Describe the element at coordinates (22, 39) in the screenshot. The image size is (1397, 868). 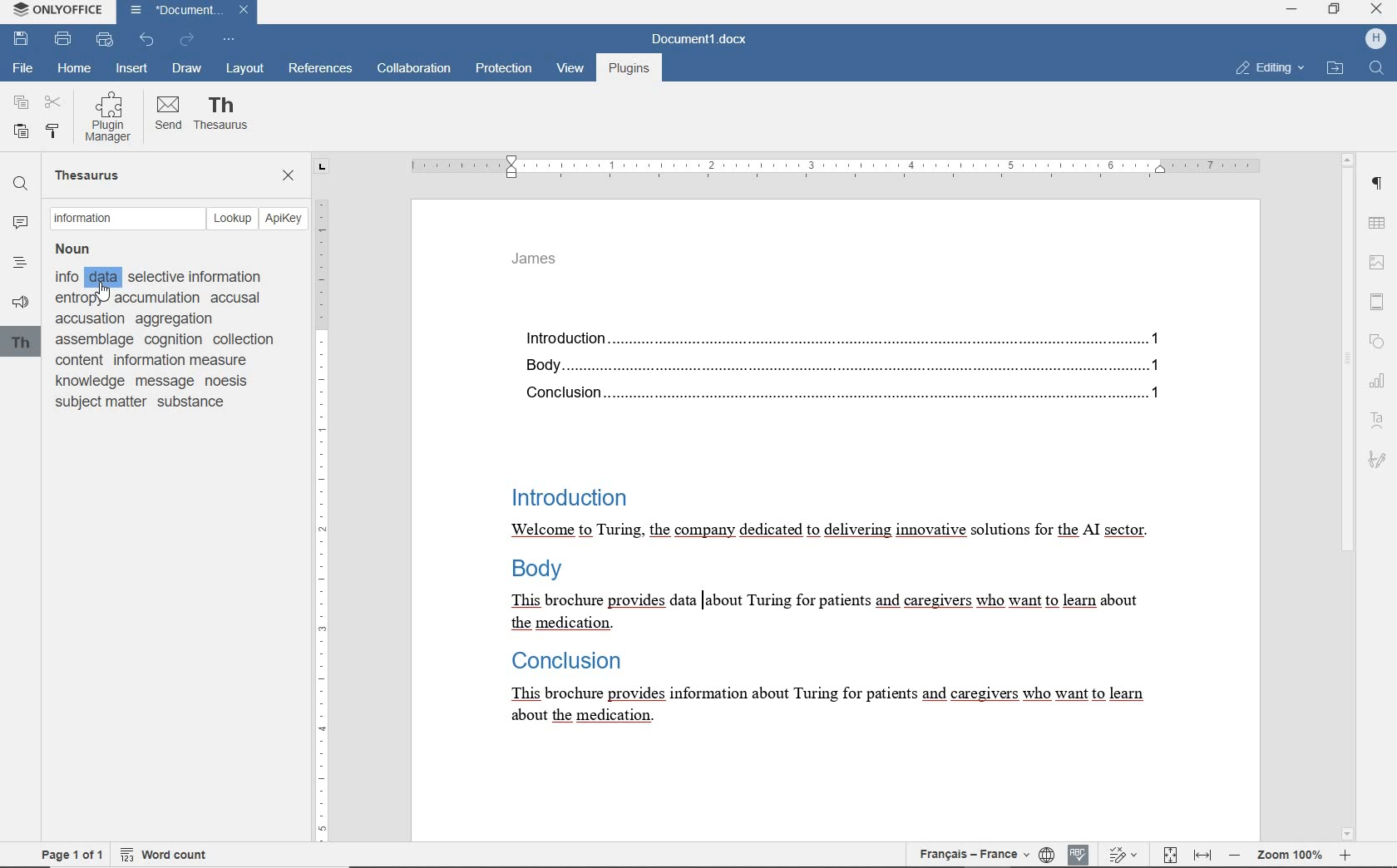
I see `SAVE` at that location.